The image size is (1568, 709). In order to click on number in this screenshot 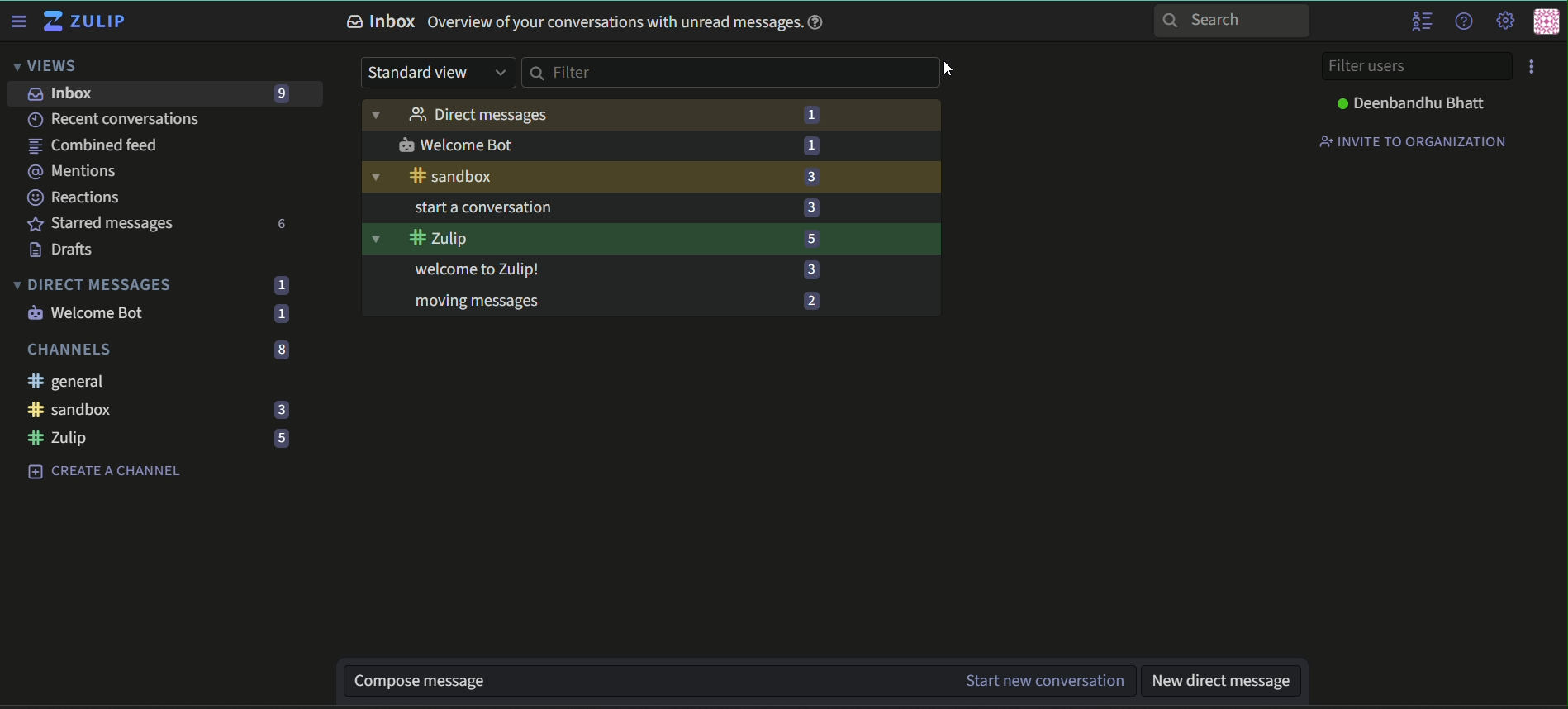, I will do `click(810, 270)`.